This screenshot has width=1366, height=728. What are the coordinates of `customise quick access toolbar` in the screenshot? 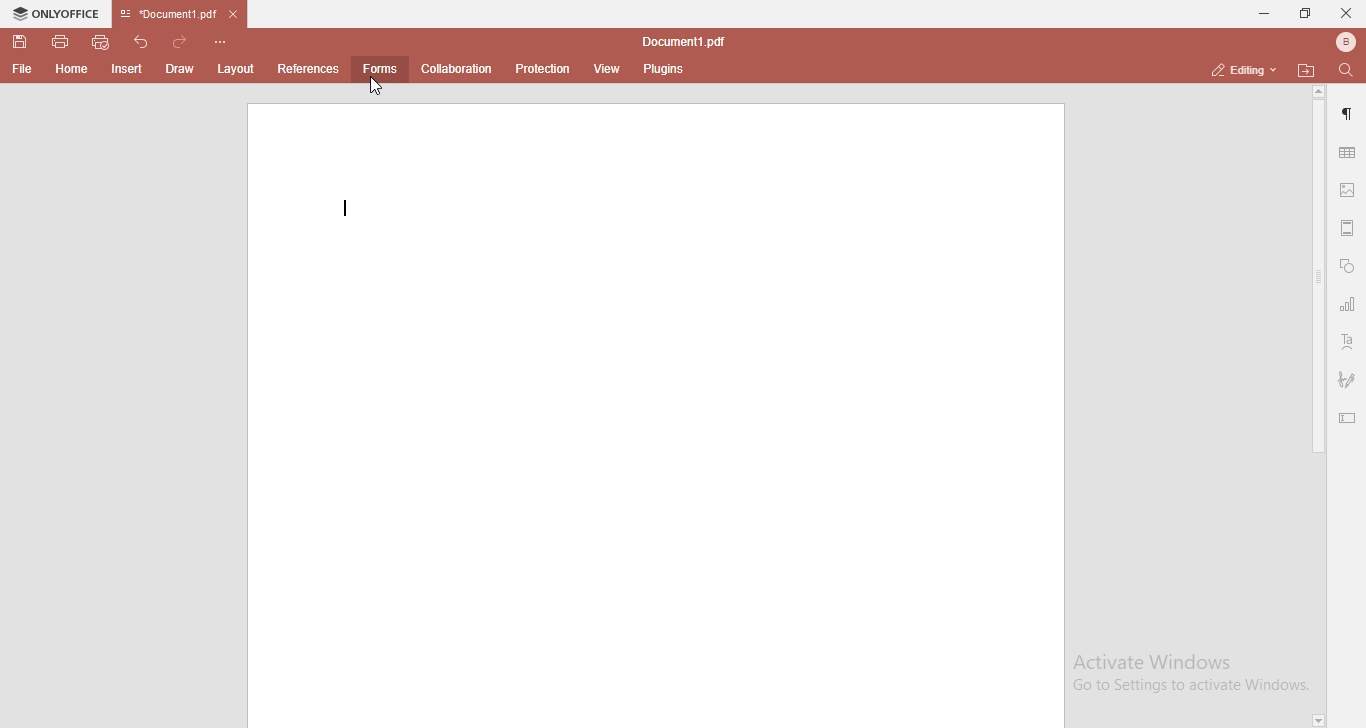 It's located at (224, 41).